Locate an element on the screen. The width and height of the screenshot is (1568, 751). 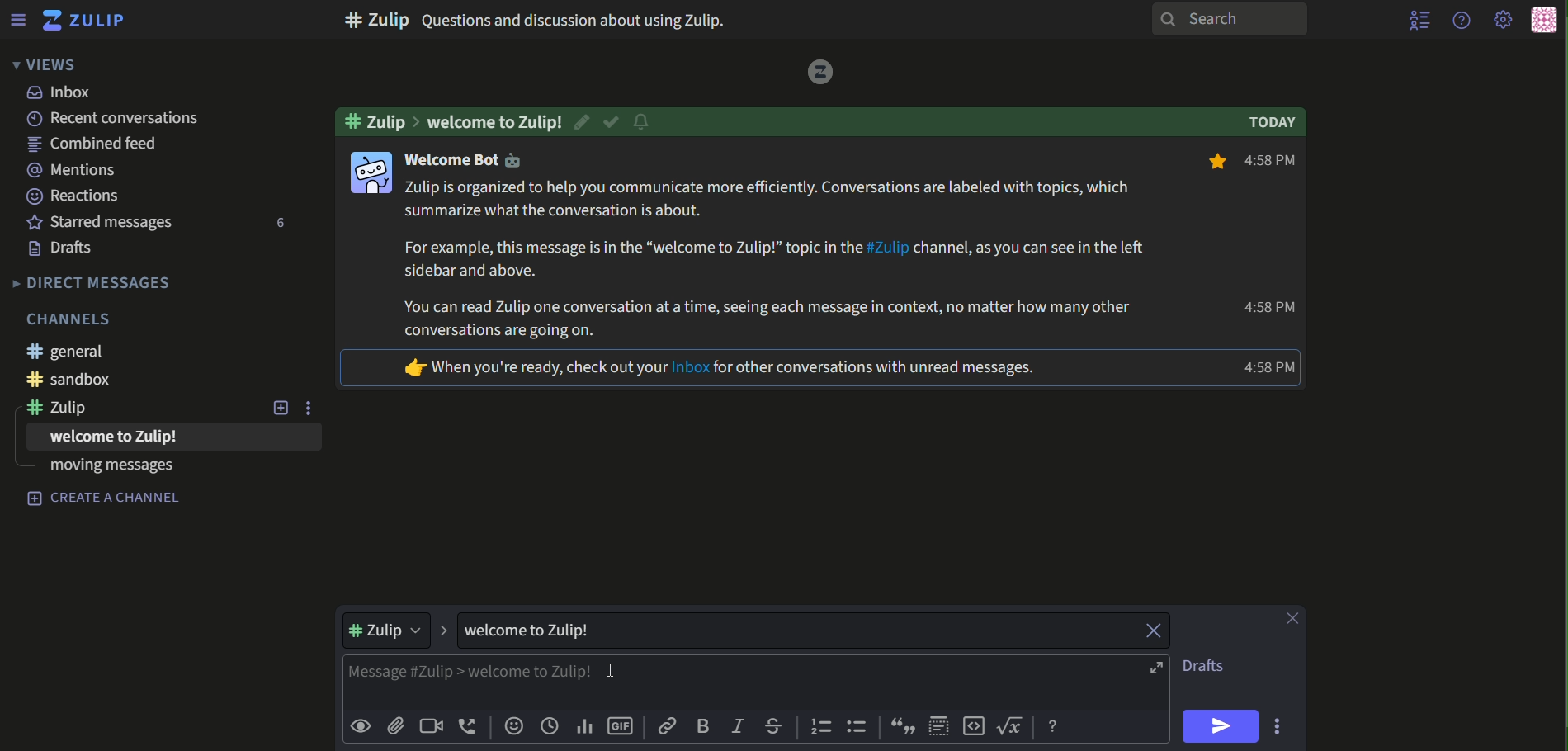
dropdown is located at coordinates (389, 631).